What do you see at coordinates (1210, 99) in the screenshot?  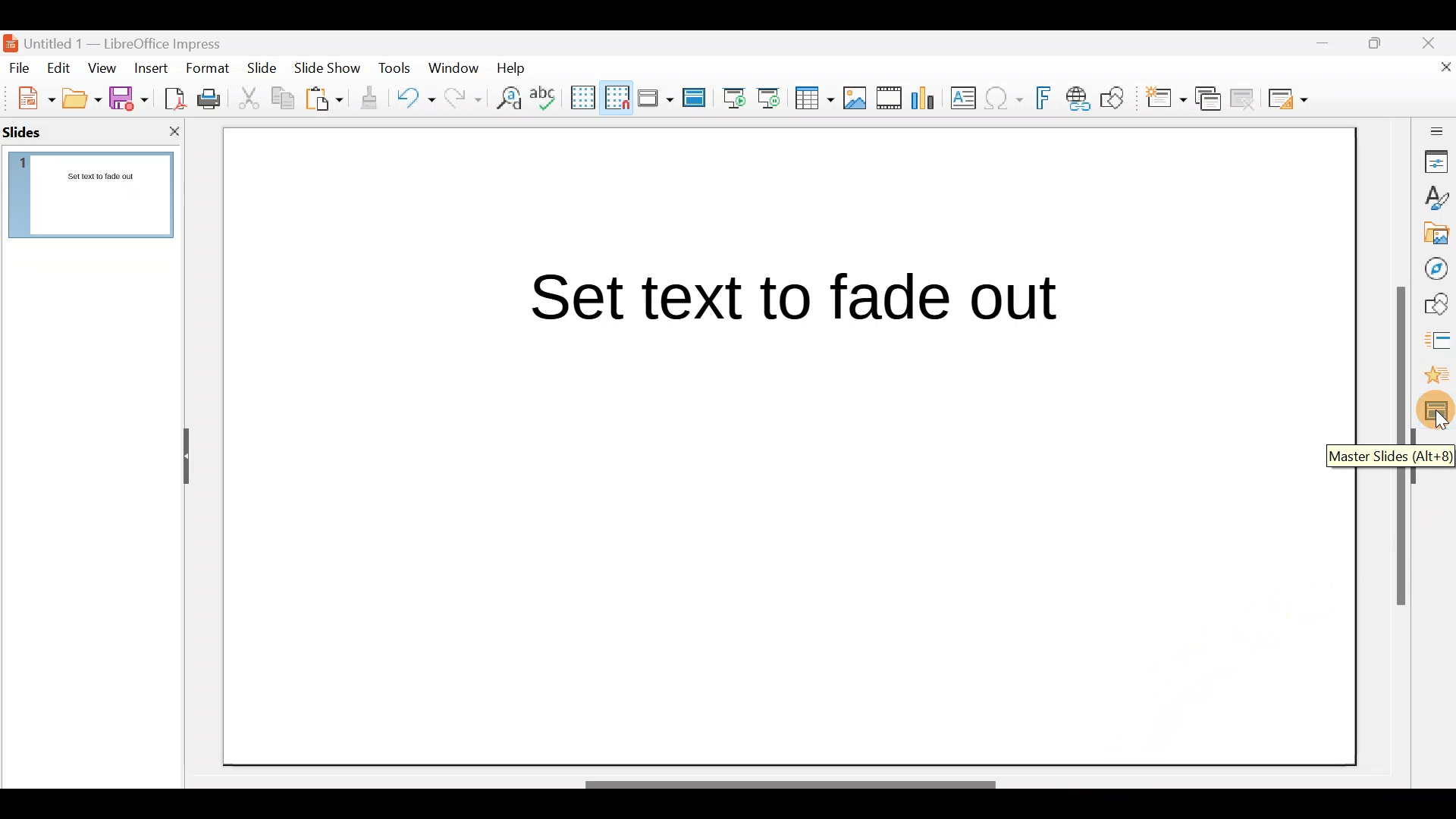 I see `Duplicate slide` at bounding box center [1210, 99].